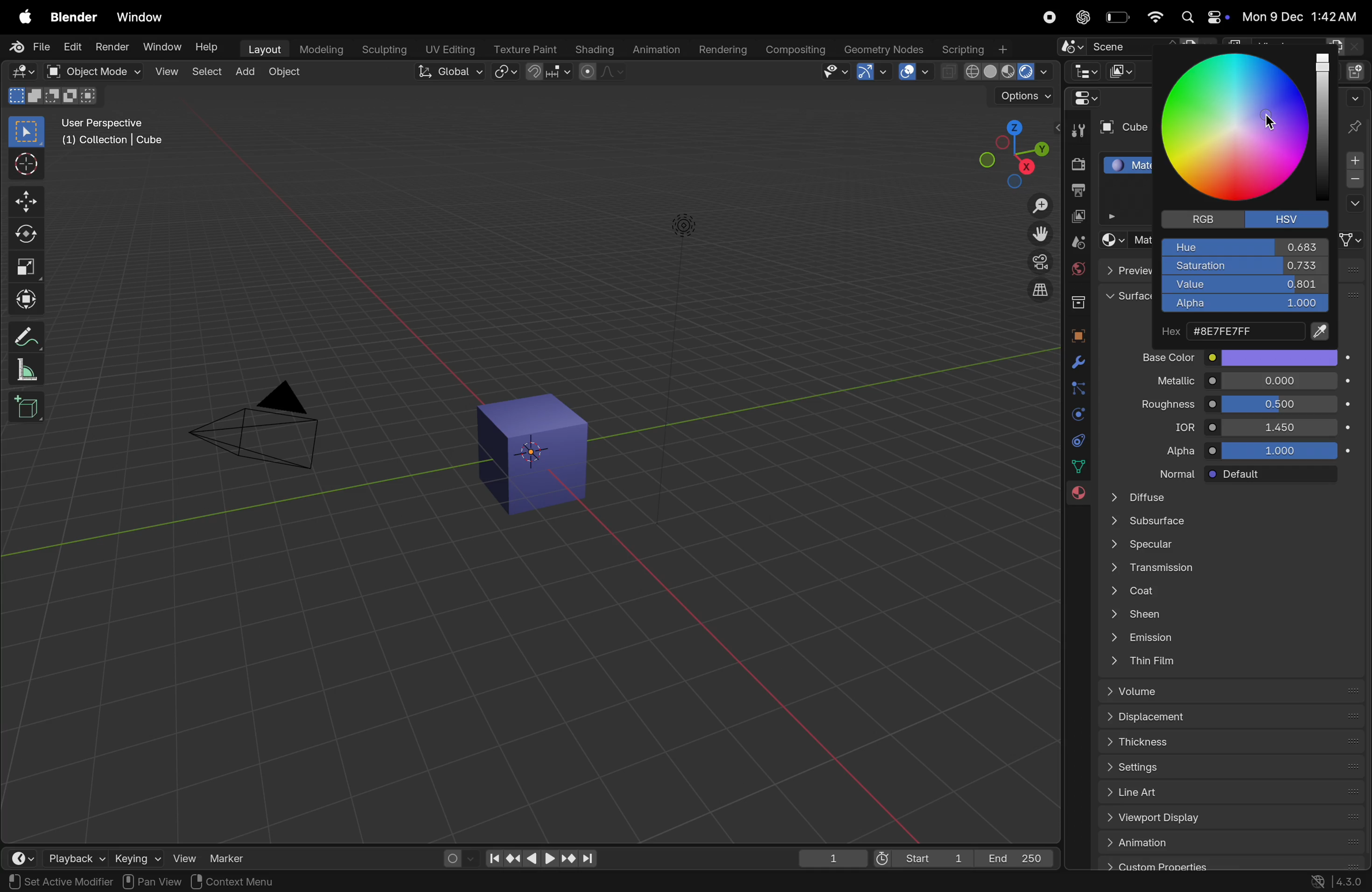 Image resolution: width=1372 pixels, height=892 pixels. Describe the element at coordinates (25, 300) in the screenshot. I see `transform` at that location.